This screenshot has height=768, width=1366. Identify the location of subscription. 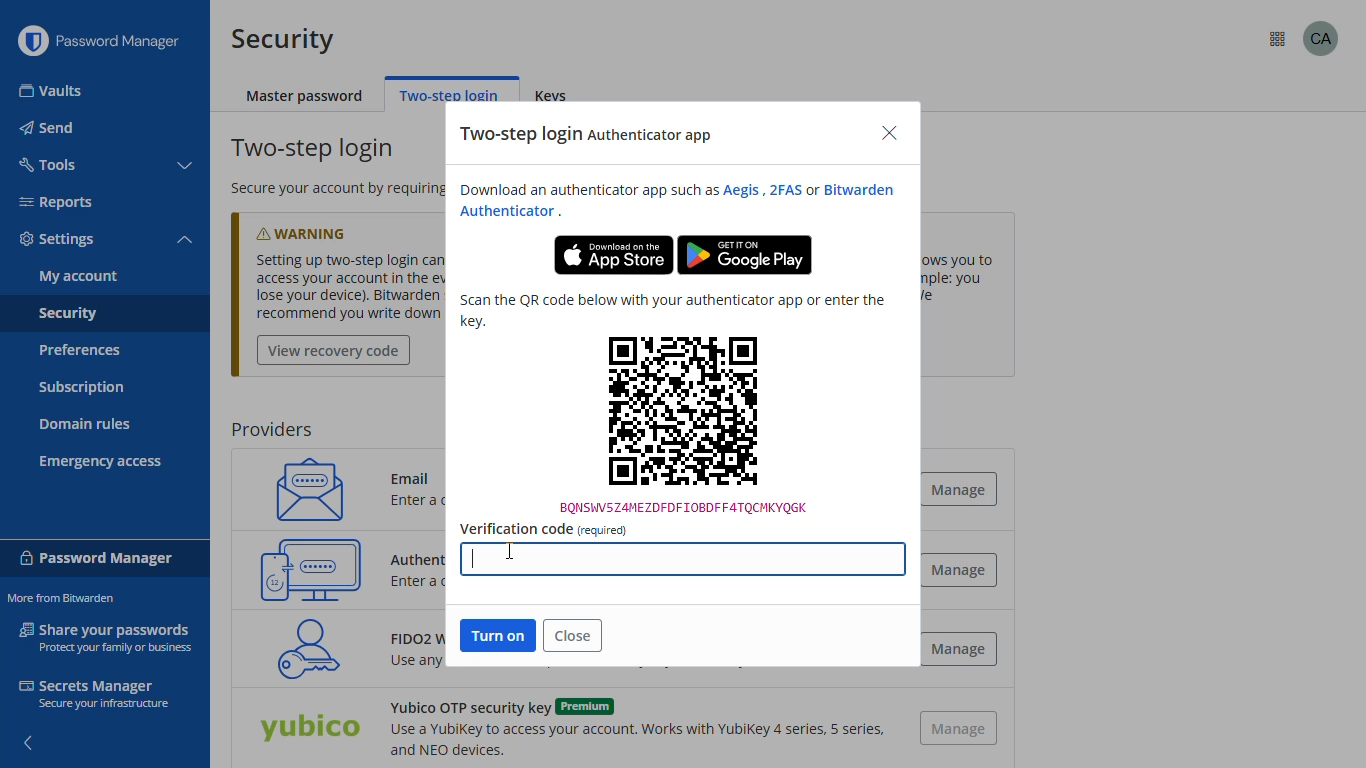
(82, 388).